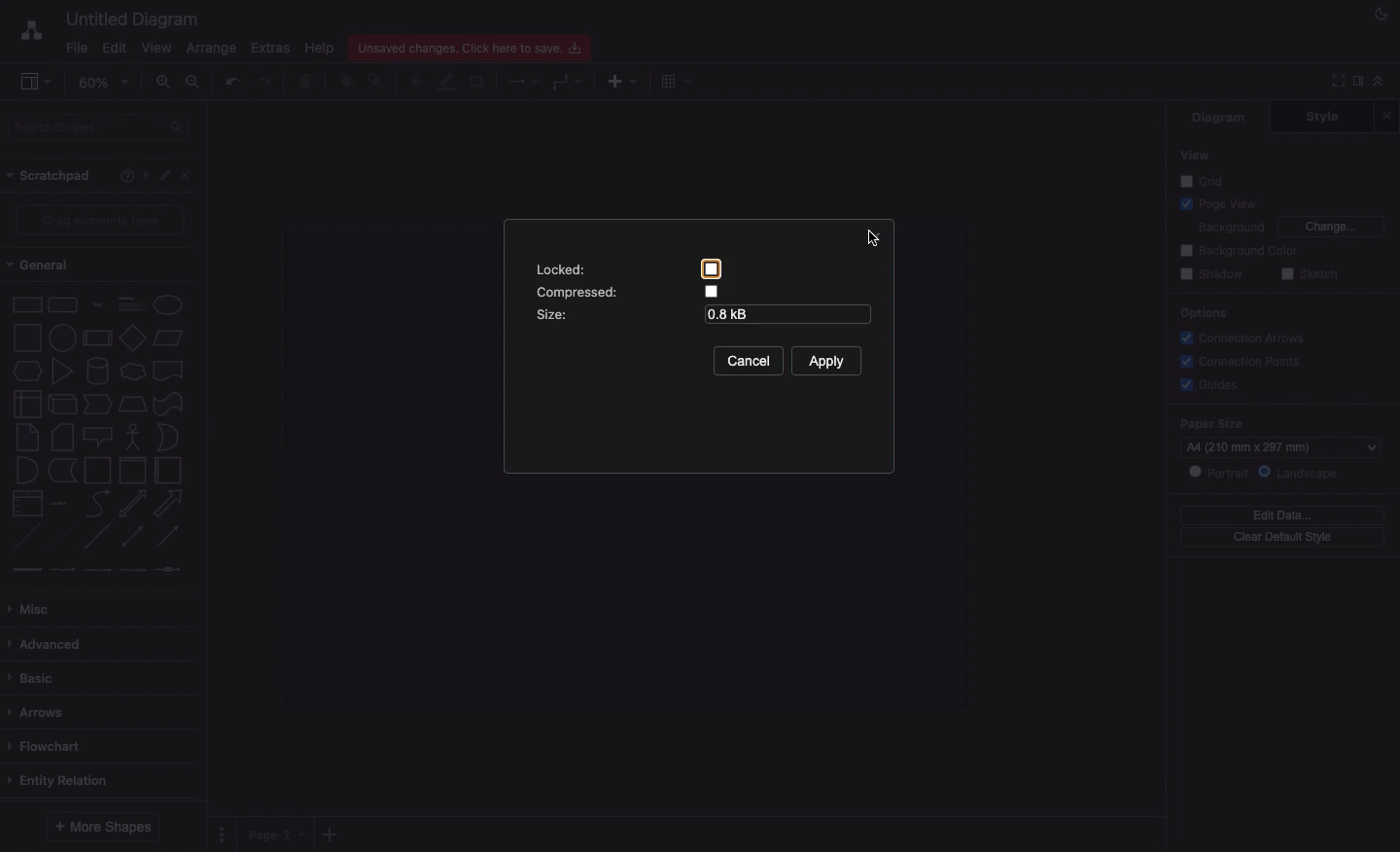 The image size is (1400, 852). I want to click on Undo, so click(232, 82).